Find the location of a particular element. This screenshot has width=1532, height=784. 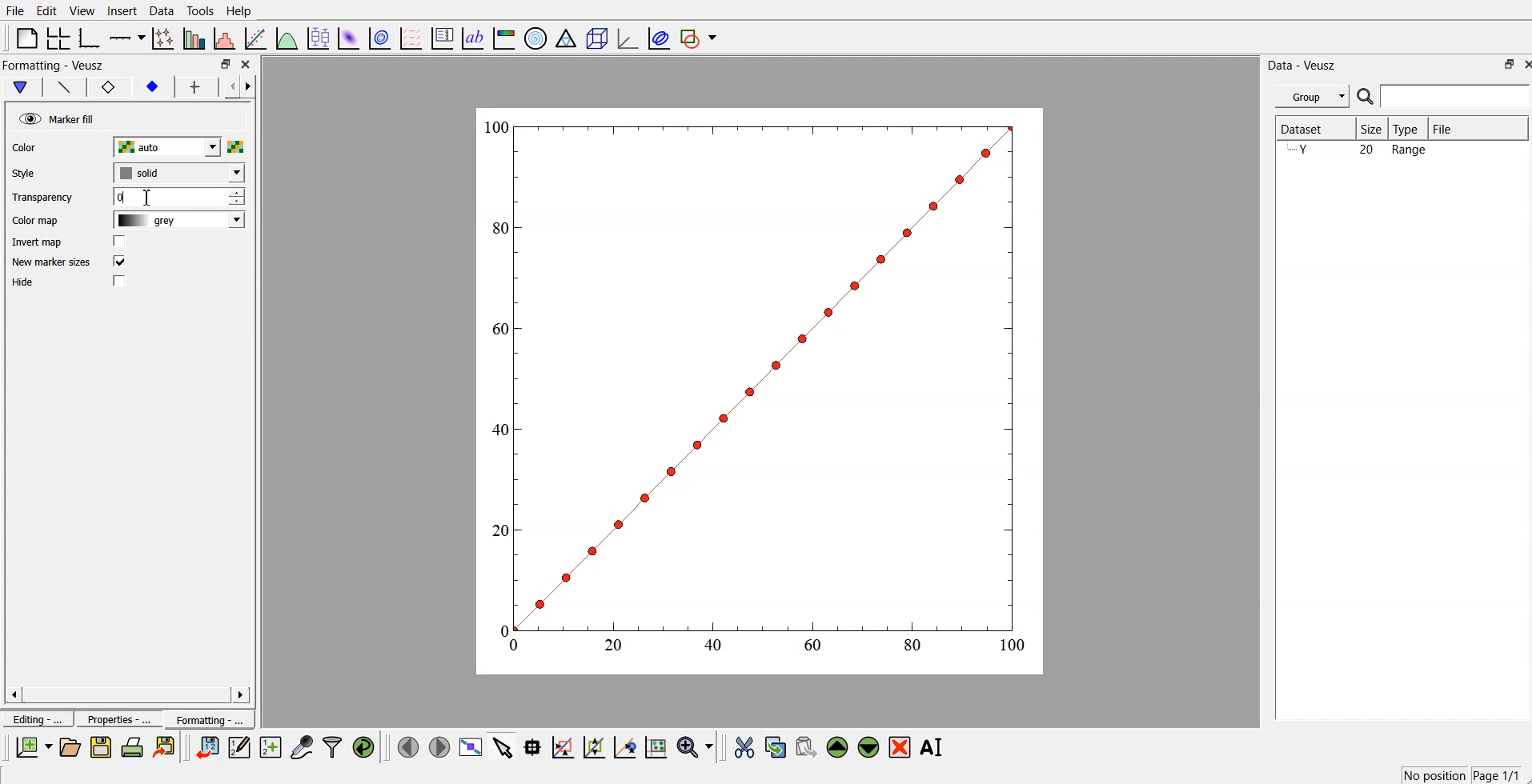

plot a 2d dataset as an is located at coordinates (348, 37).